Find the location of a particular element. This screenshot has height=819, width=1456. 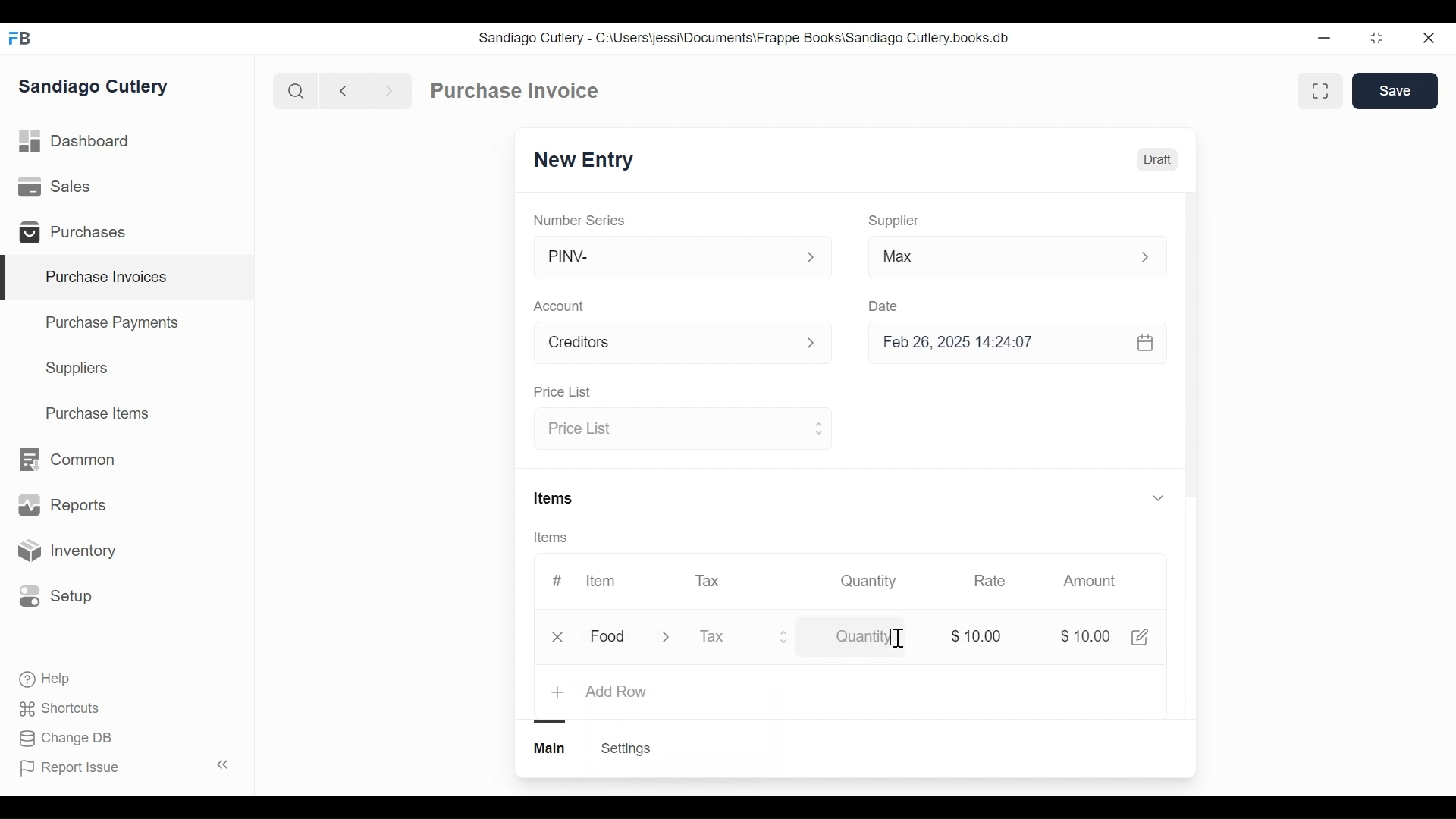

Items is located at coordinates (556, 538).